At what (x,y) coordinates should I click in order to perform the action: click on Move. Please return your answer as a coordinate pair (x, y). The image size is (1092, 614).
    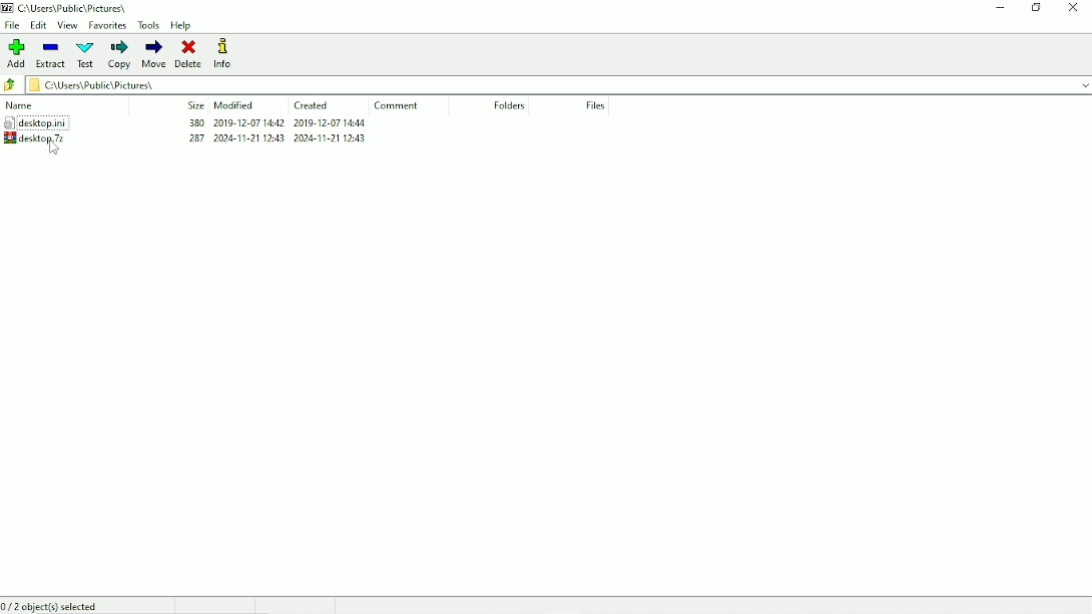
    Looking at the image, I should click on (154, 53).